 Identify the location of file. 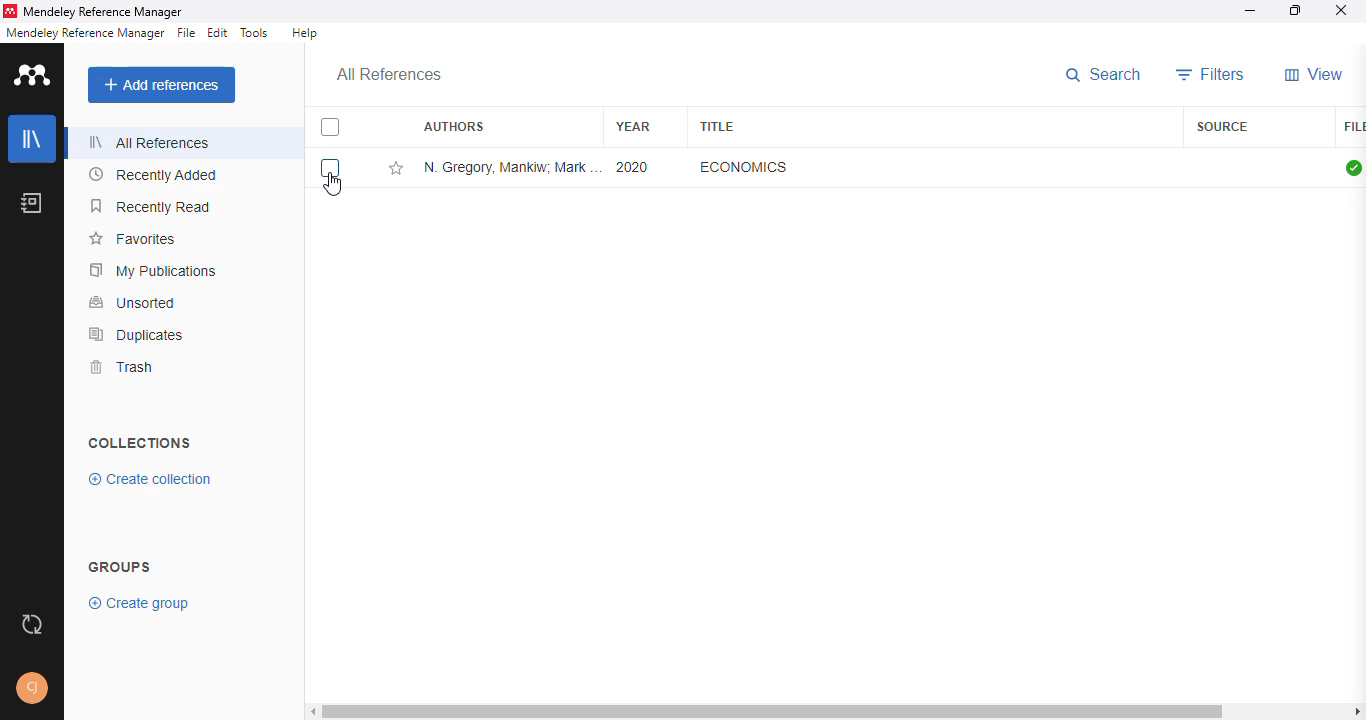
(186, 33).